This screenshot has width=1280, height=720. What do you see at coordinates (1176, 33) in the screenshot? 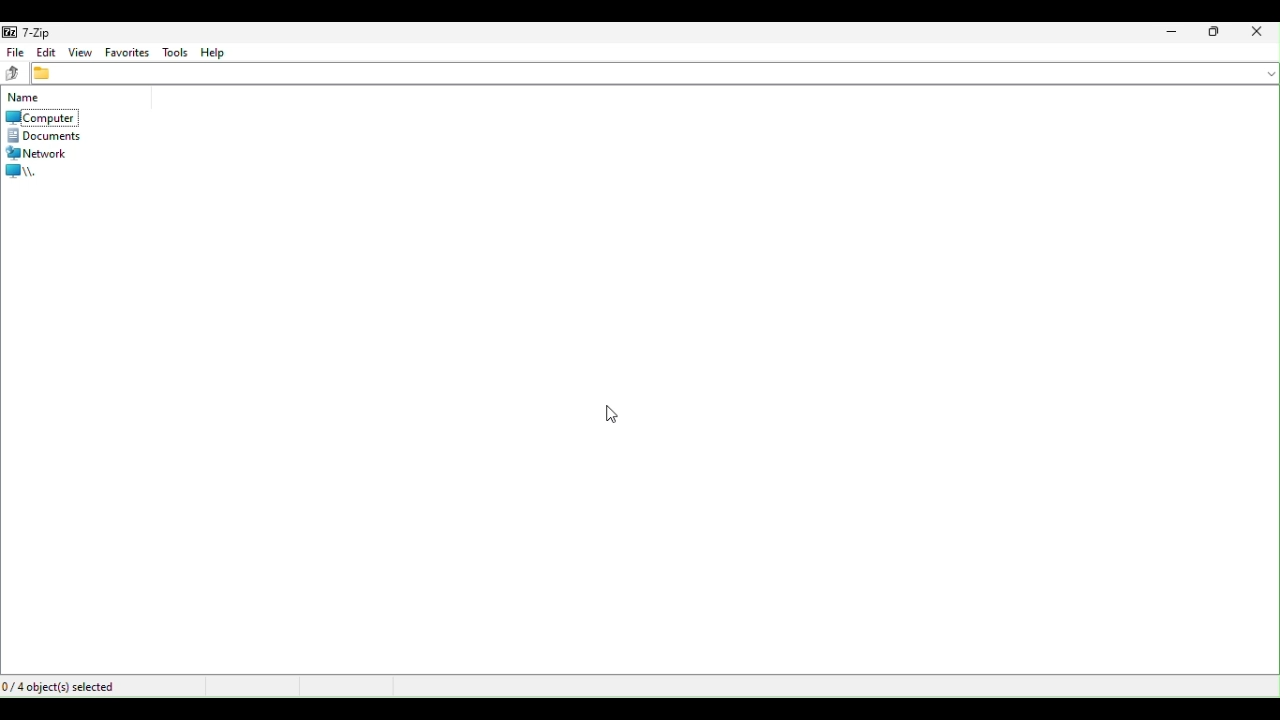
I see `Minimize` at bounding box center [1176, 33].